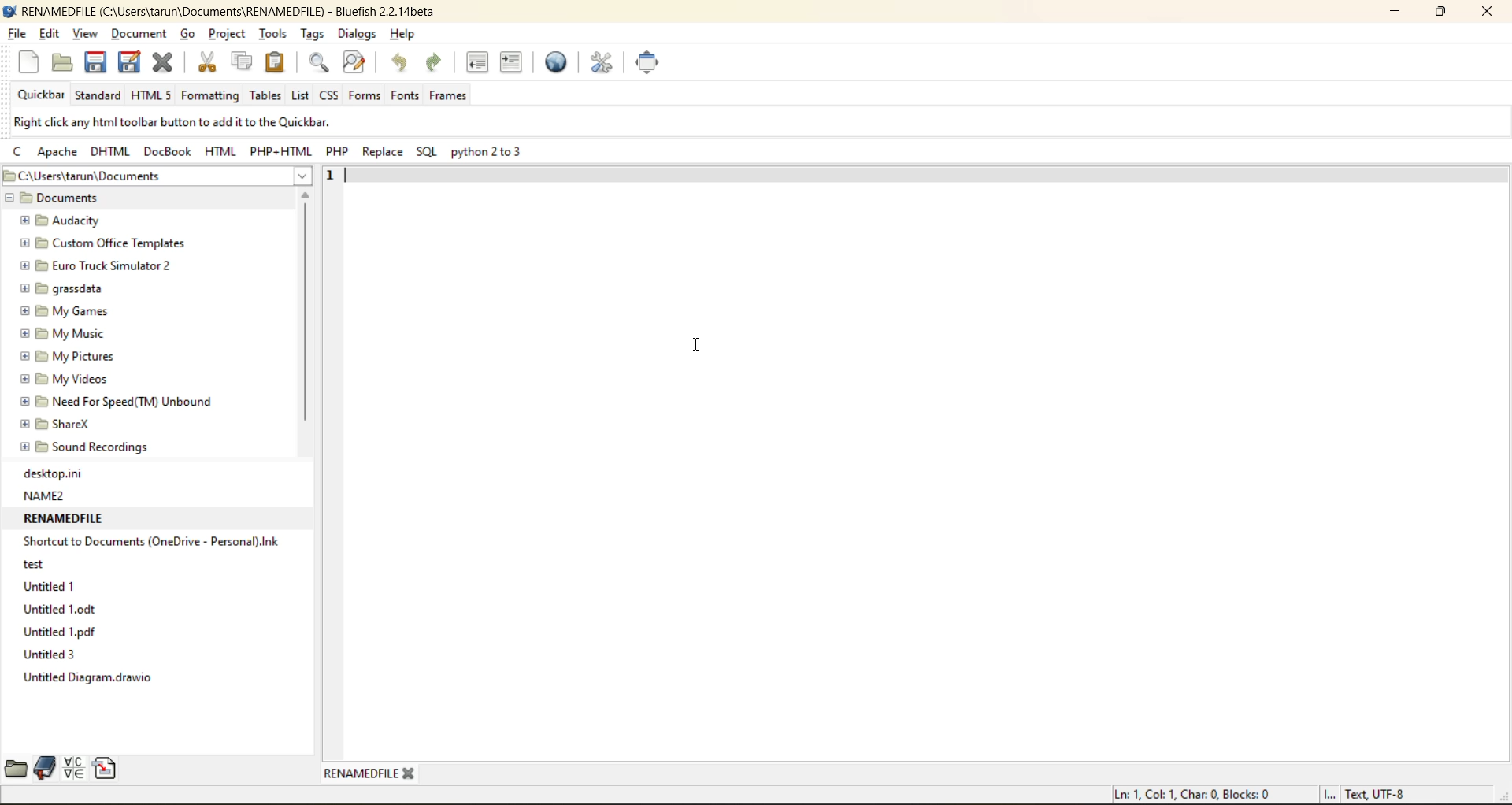 The image size is (1512, 805). What do you see at coordinates (277, 62) in the screenshot?
I see `paste` at bounding box center [277, 62].